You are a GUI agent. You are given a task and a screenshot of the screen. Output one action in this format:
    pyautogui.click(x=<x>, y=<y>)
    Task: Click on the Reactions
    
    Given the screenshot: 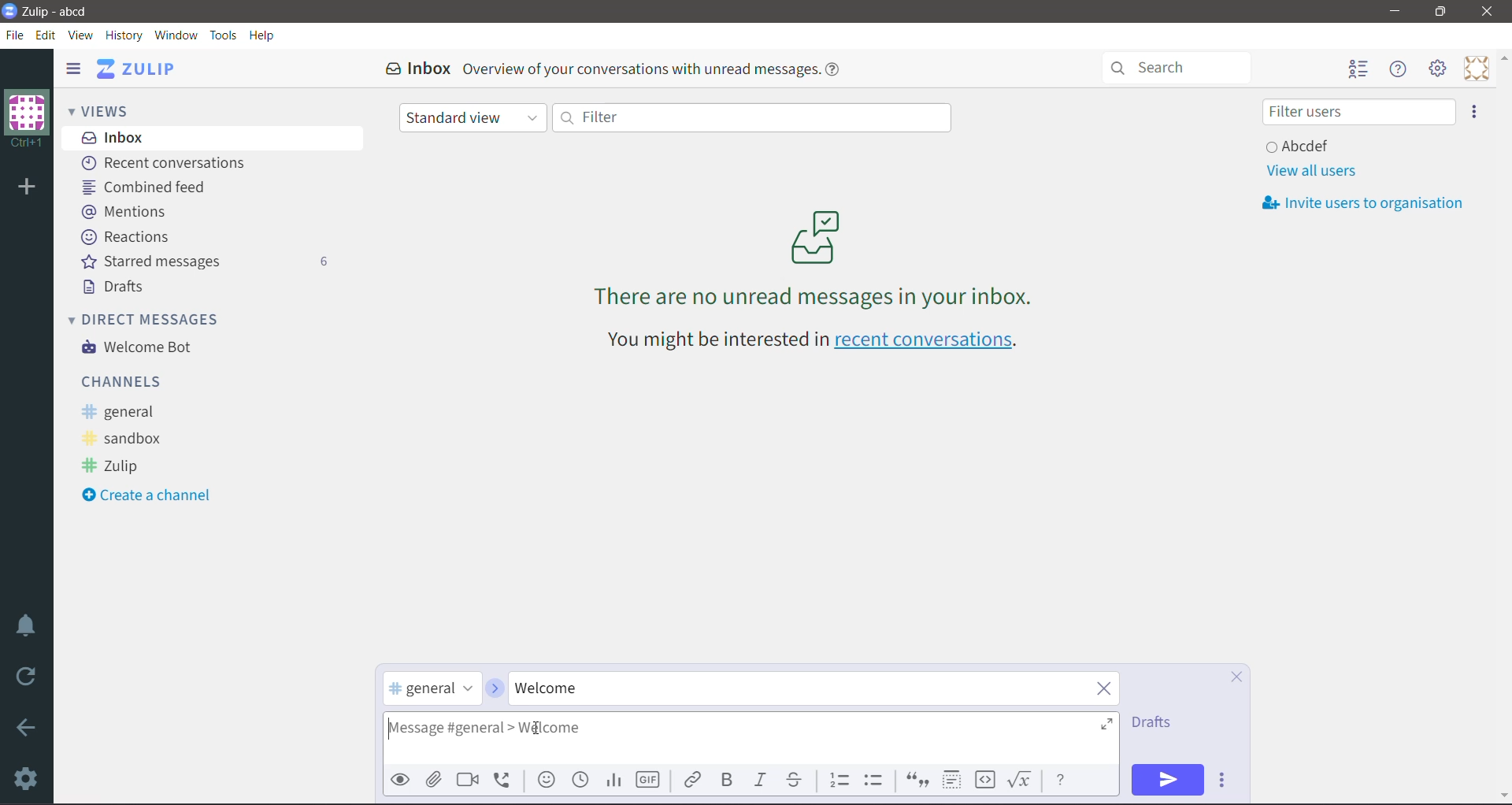 What is the action you would take?
    pyautogui.click(x=128, y=237)
    